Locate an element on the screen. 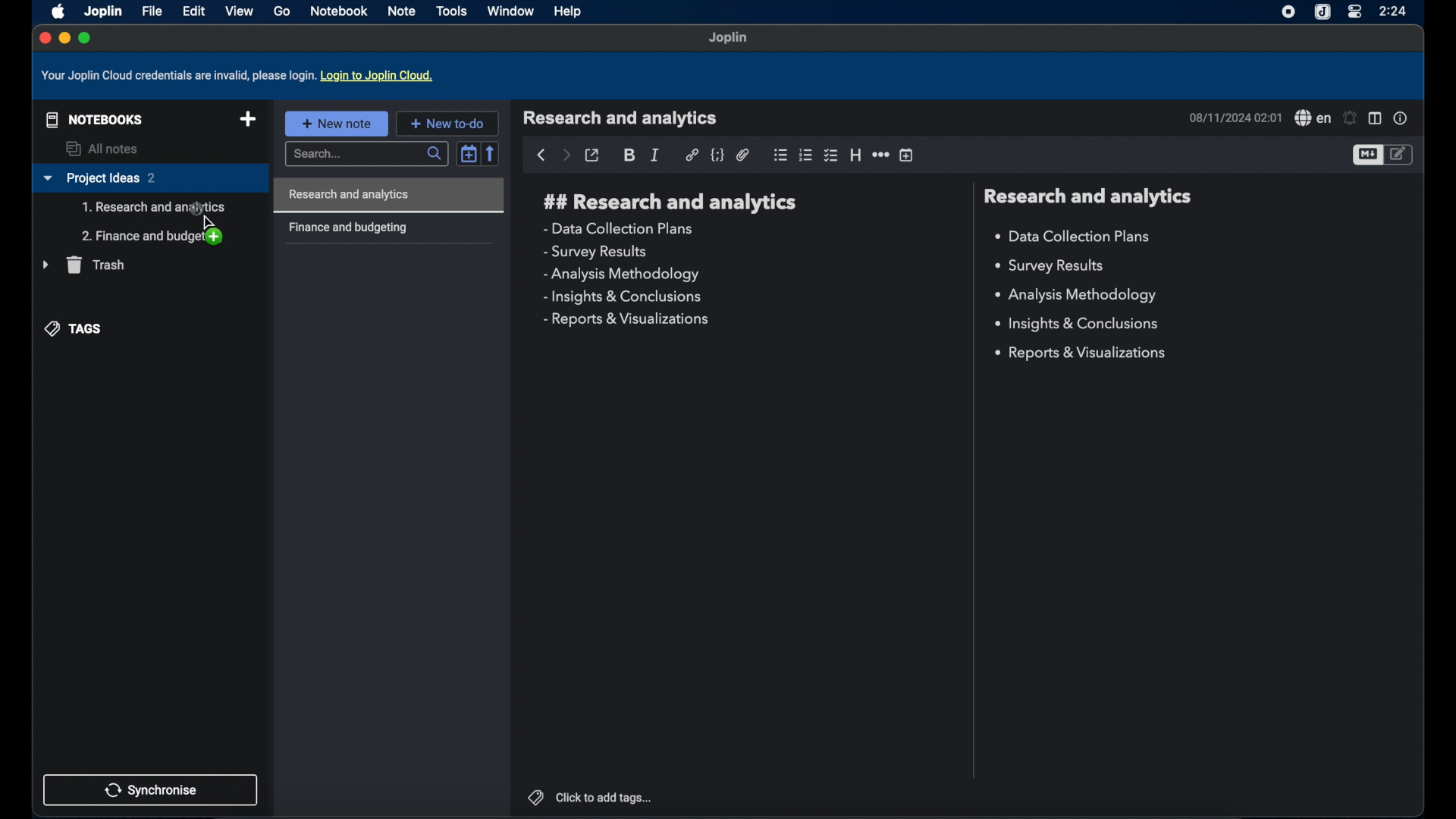  project ideas 2 is located at coordinates (149, 179).